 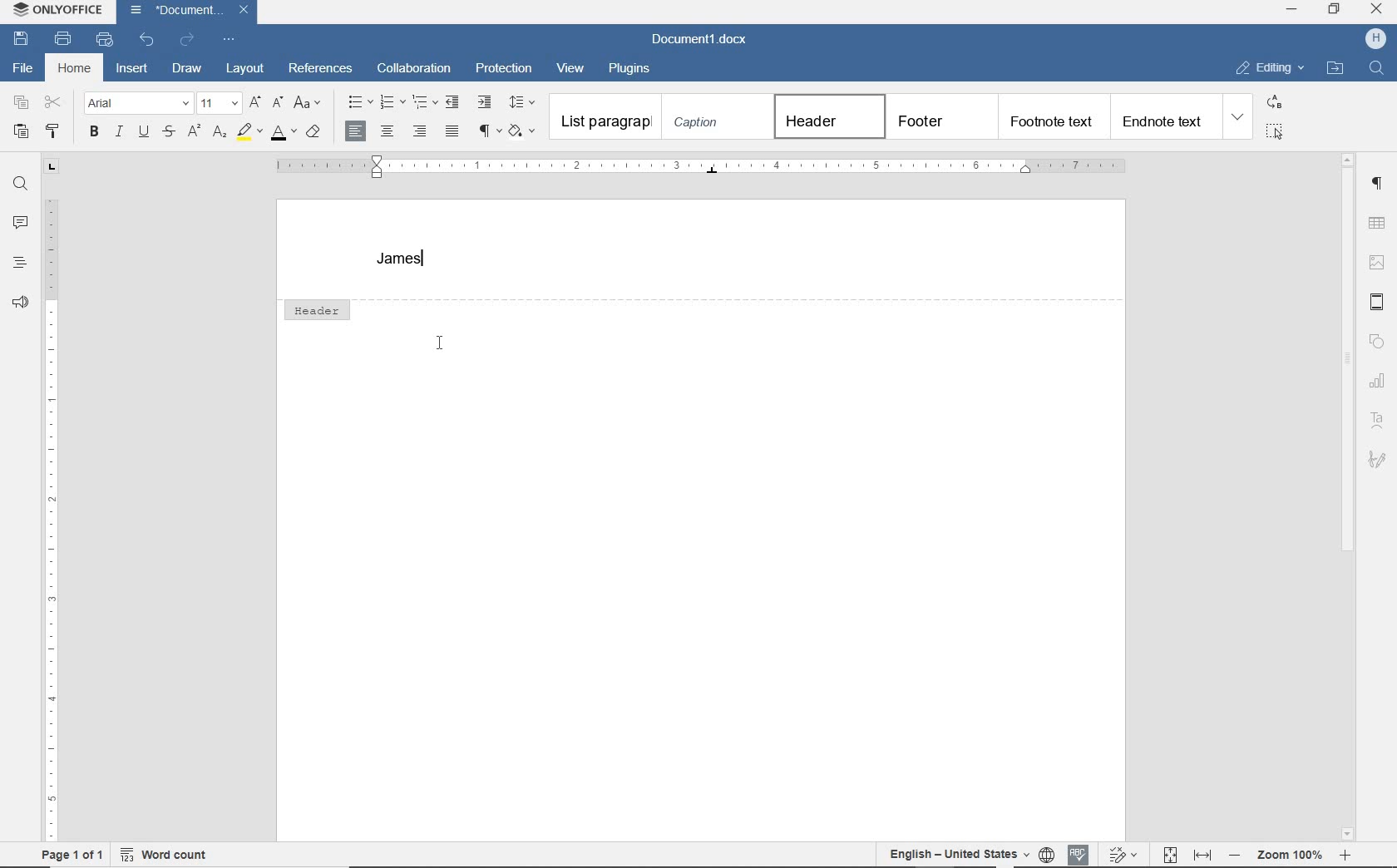 I want to click on Heading2, so click(x=940, y=116).